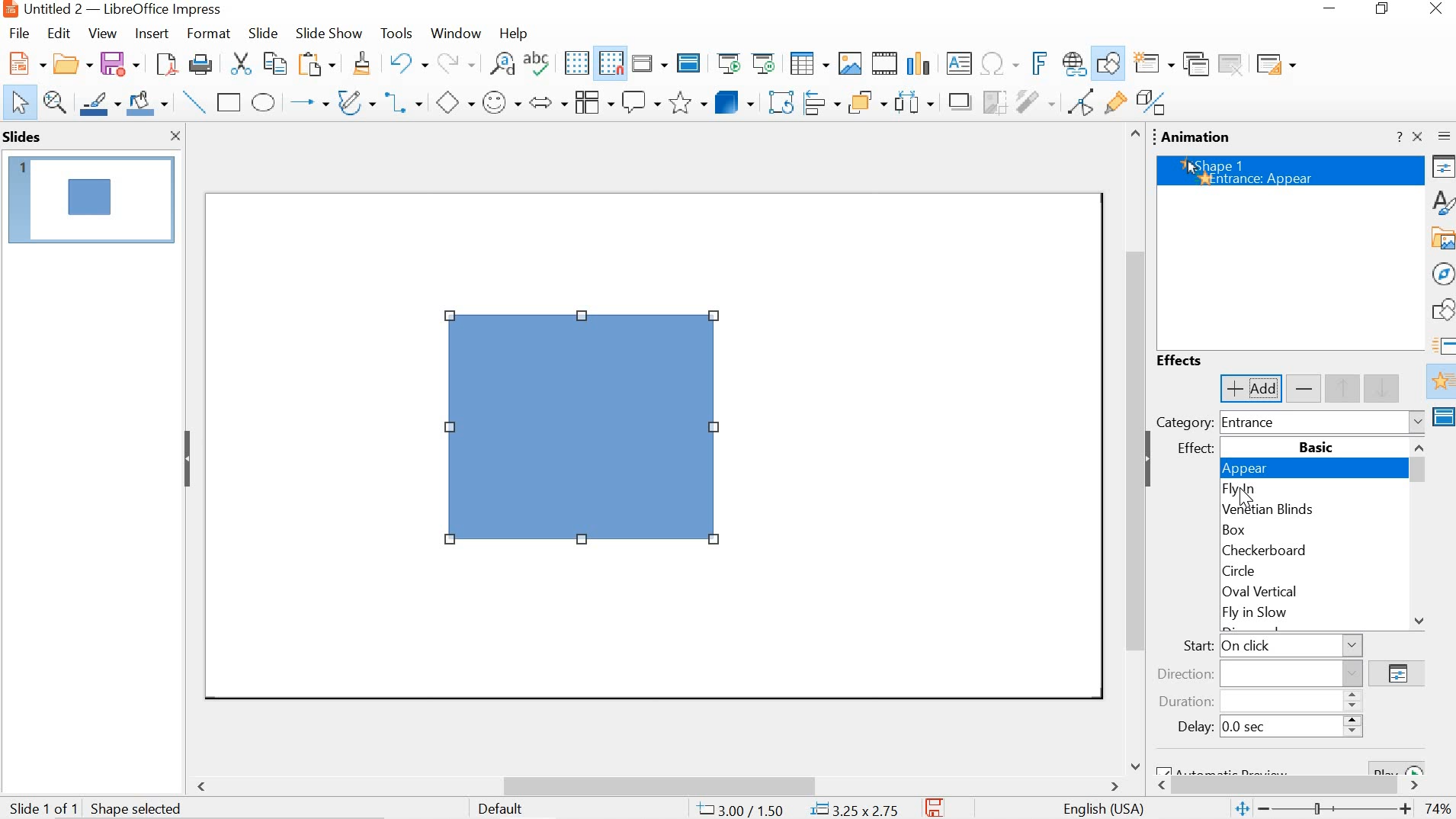 This screenshot has height=819, width=1456. I want to click on slide transition, so click(1442, 344).